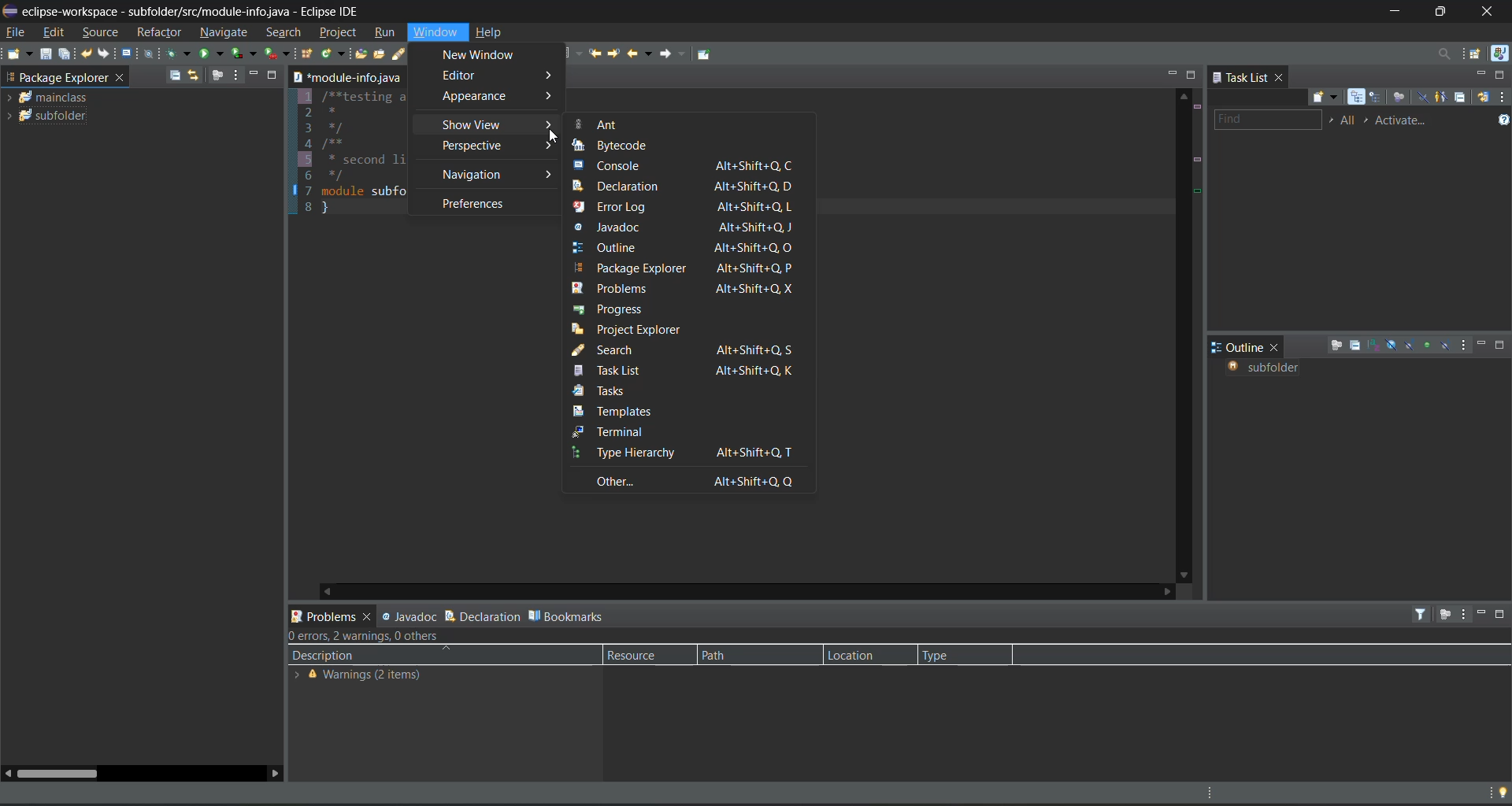 The height and width of the screenshot is (806, 1512). What do you see at coordinates (641, 53) in the screenshot?
I see `back` at bounding box center [641, 53].